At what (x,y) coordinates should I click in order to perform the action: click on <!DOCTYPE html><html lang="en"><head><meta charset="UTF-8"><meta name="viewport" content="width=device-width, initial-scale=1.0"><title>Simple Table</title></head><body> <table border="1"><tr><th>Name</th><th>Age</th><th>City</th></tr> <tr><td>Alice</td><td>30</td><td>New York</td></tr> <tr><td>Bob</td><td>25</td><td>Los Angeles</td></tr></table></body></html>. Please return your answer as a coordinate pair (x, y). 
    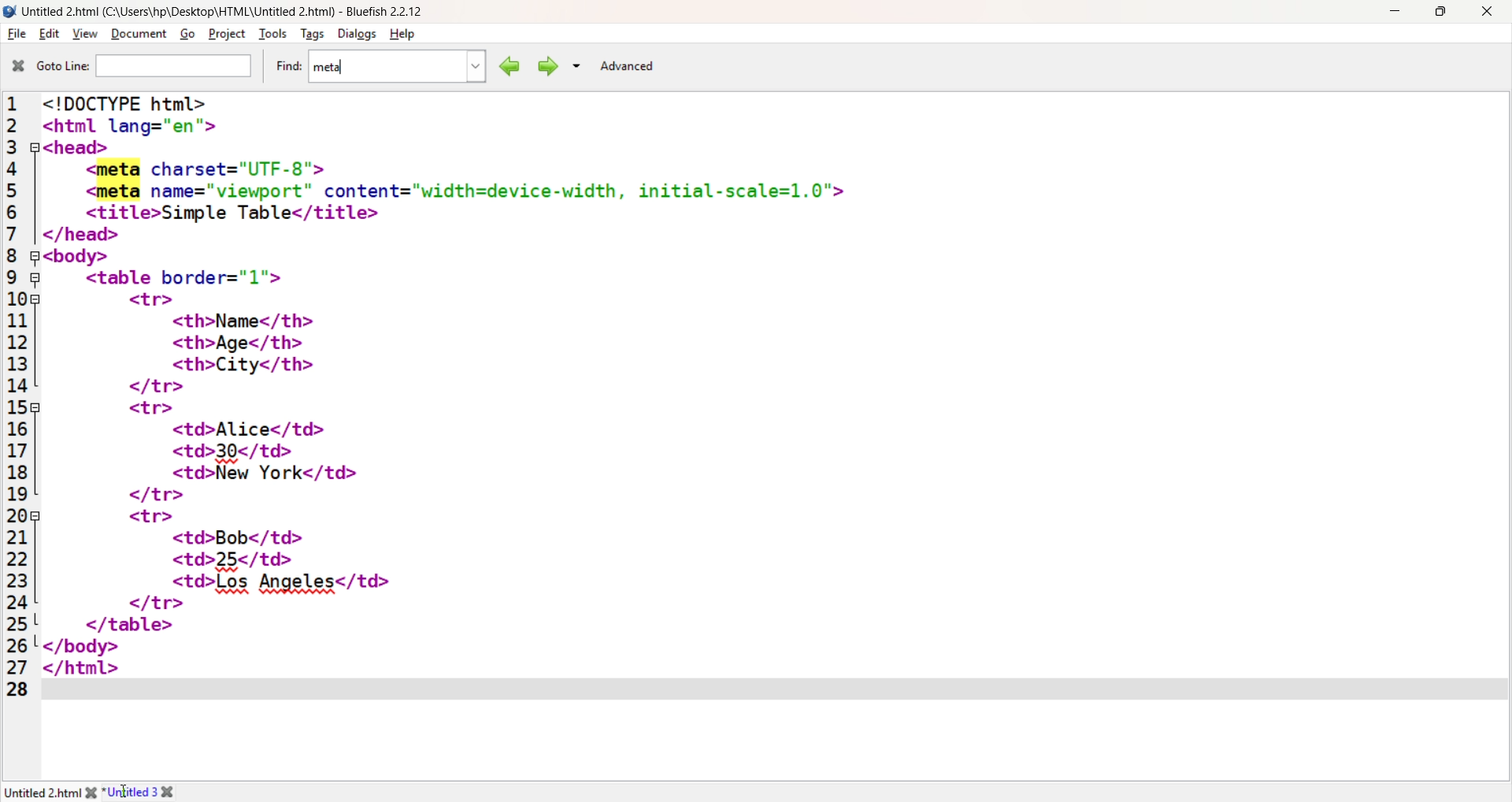
    Looking at the image, I should click on (770, 451).